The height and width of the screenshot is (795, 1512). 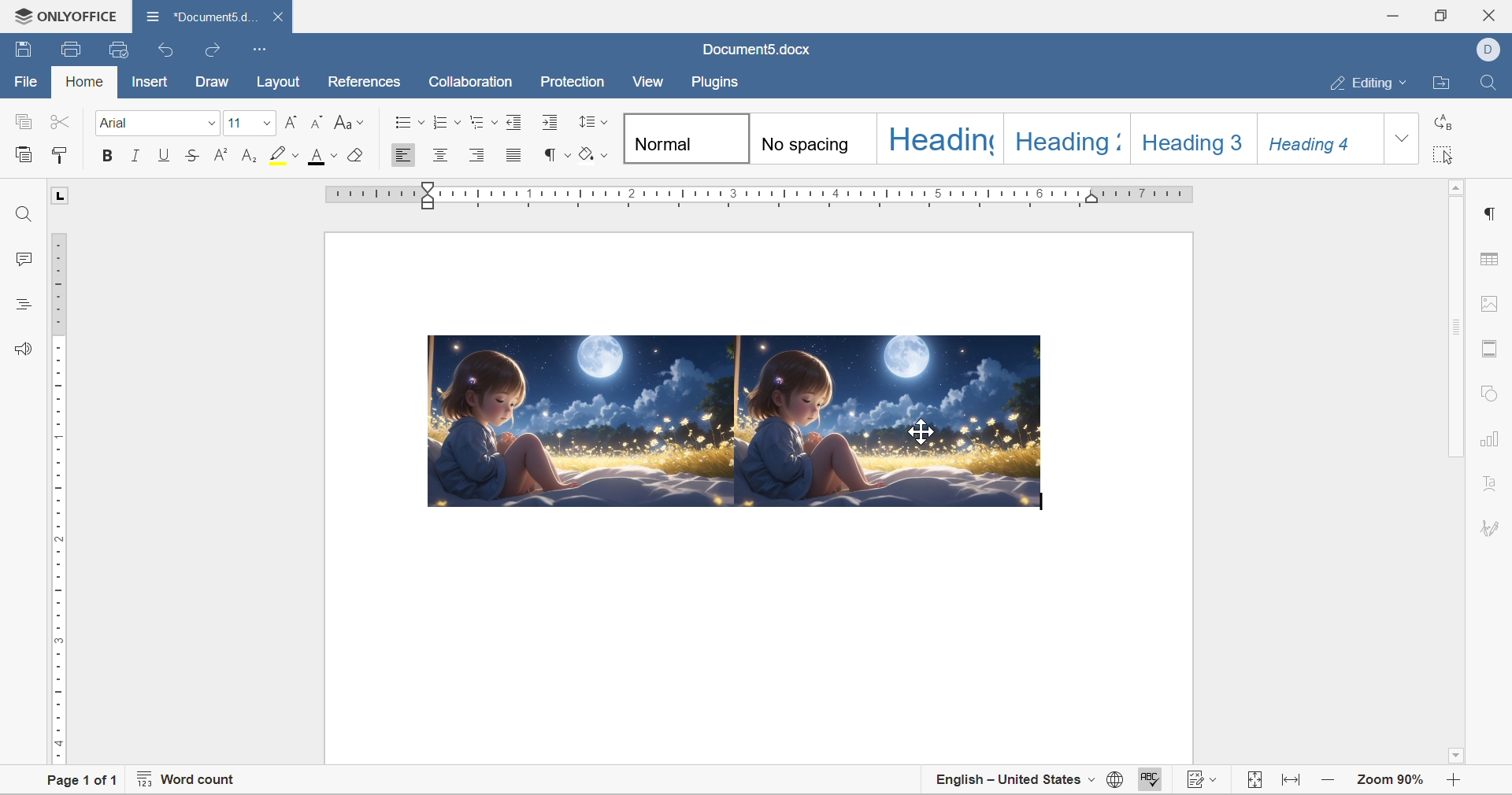 I want to click on protection, so click(x=570, y=82).